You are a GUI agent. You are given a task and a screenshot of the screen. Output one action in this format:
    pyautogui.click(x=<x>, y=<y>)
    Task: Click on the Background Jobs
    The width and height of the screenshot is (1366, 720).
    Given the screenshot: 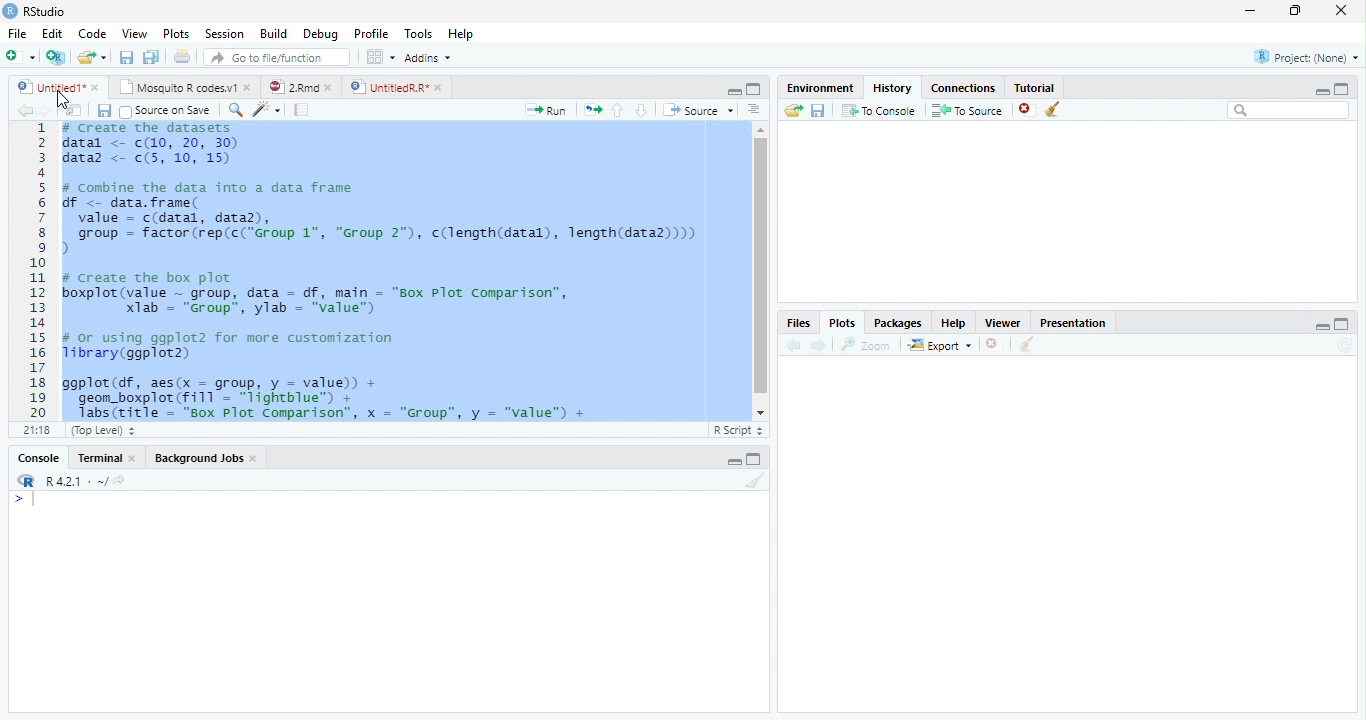 What is the action you would take?
    pyautogui.click(x=199, y=457)
    